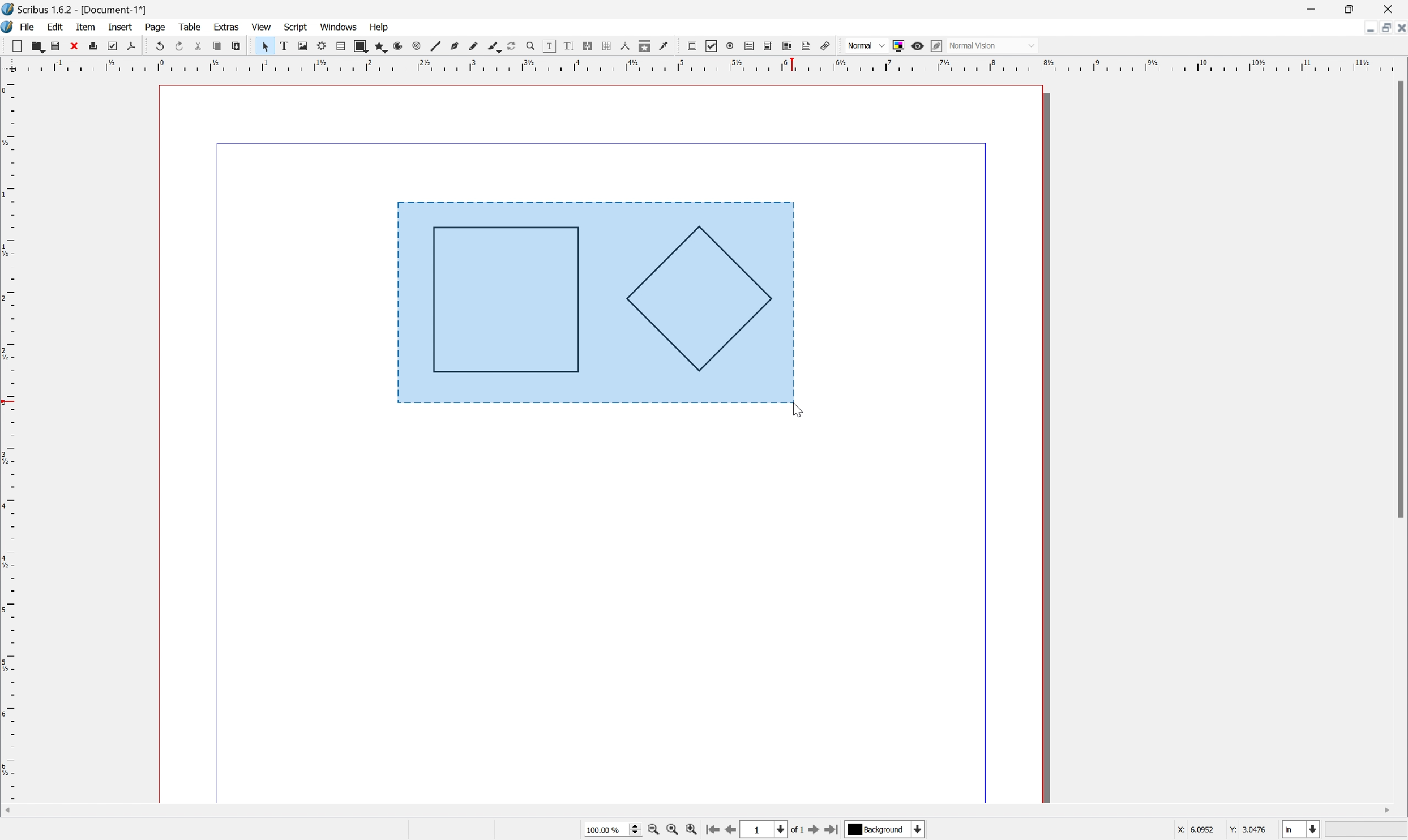  Describe the element at coordinates (730, 830) in the screenshot. I see `Go to previous page` at that location.